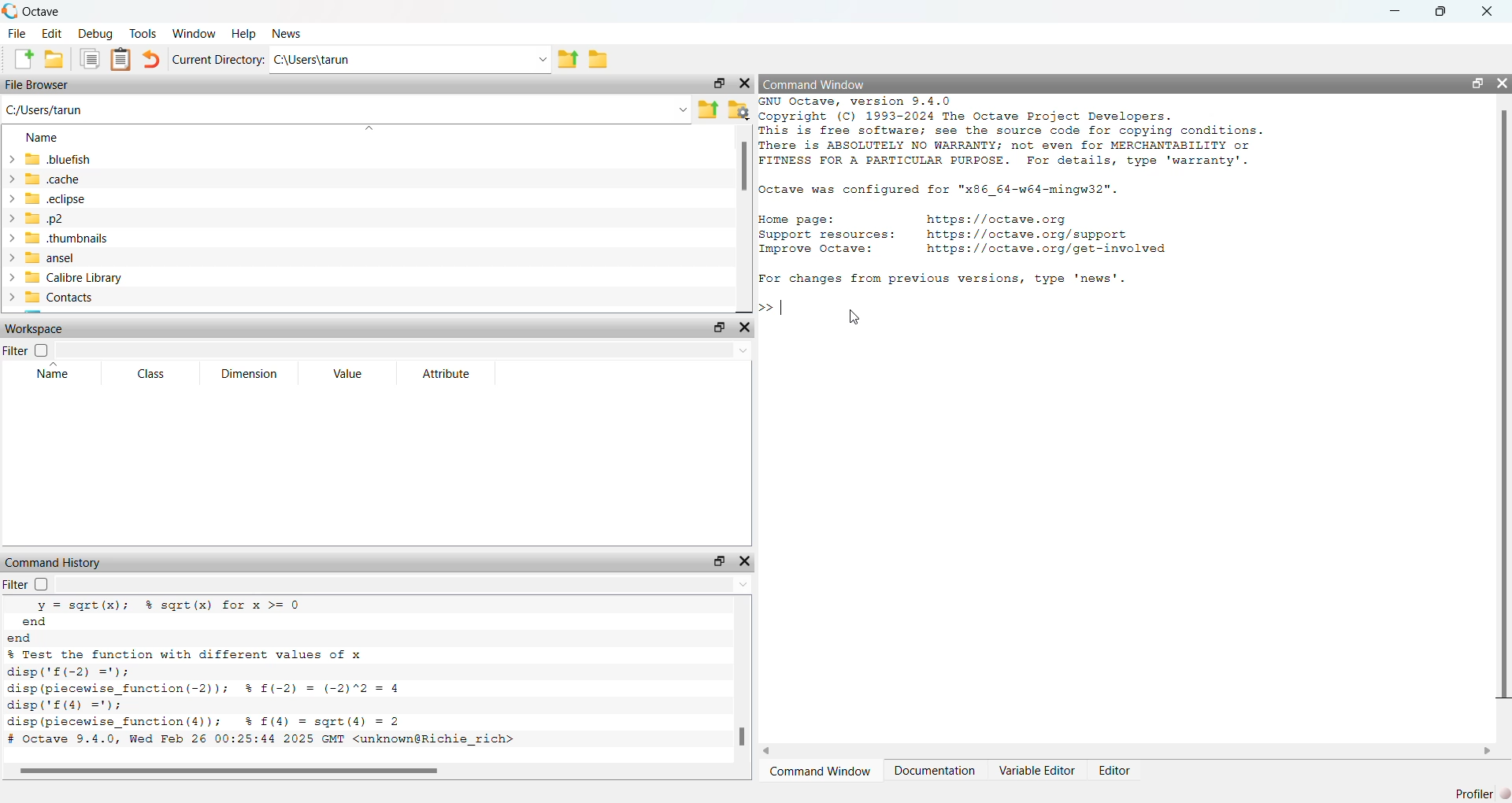 This screenshot has height=803, width=1512. What do you see at coordinates (272, 676) in the screenshot?
I see `y = sqrt(x); % sqrt(x) for x >= 0

end
end
$ Test the function with different values of x
disp('£(-2) =");
disp (piecewise_function(-2)); $ £(-2) = (-2)"2 = 4
disp('£(4) =");
disp (piecewise_function(4)); % £(4) = sgrt(4) = 2
# Octave 9.4.0, Wed Feb 26 00:25:44 2025 GMT <unknown@Richie_rich>` at bounding box center [272, 676].